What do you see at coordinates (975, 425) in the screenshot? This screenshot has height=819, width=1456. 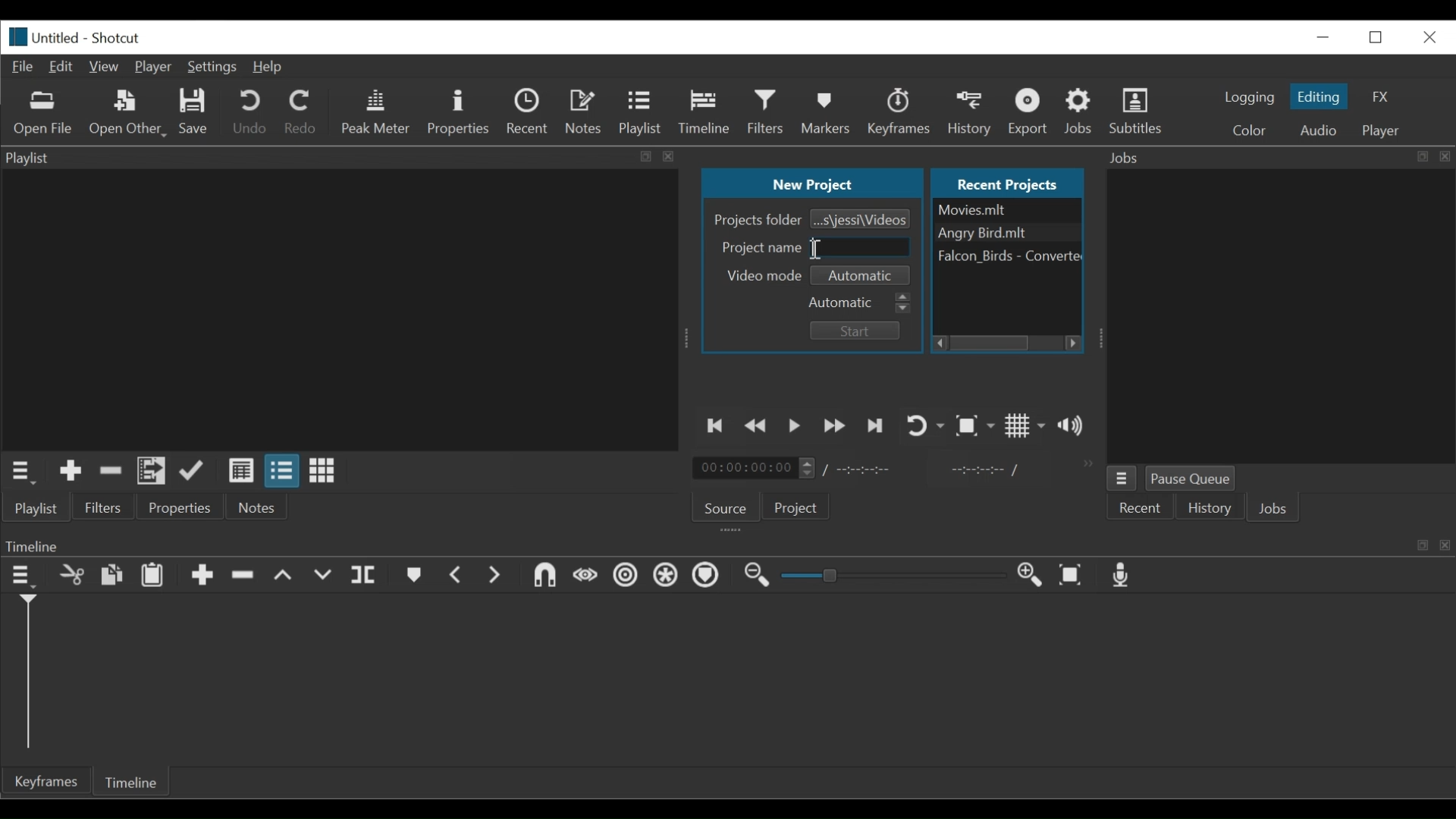 I see `Toggle Zoom` at bounding box center [975, 425].